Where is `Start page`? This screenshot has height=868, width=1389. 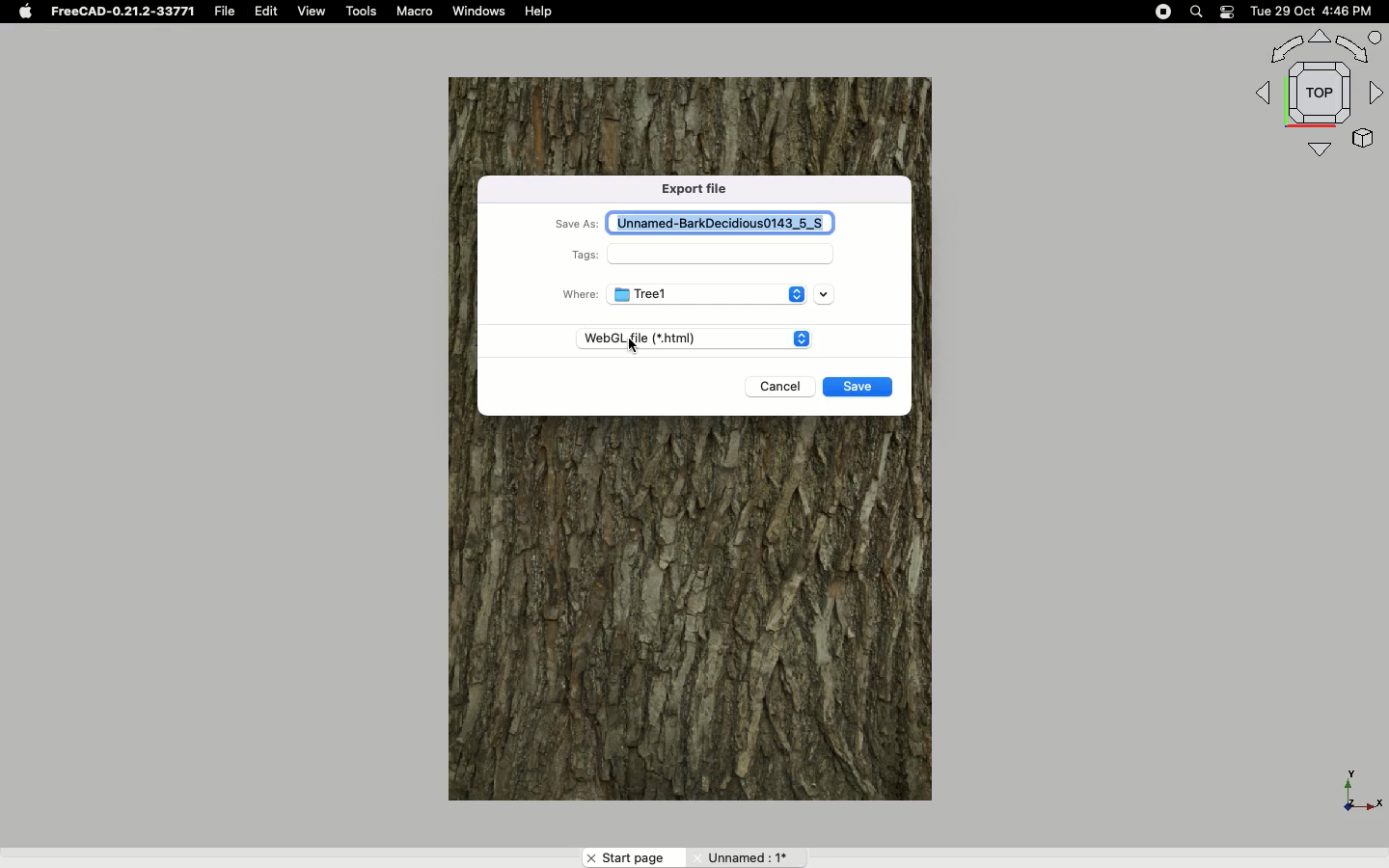
Start page is located at coordinates (633, 857).